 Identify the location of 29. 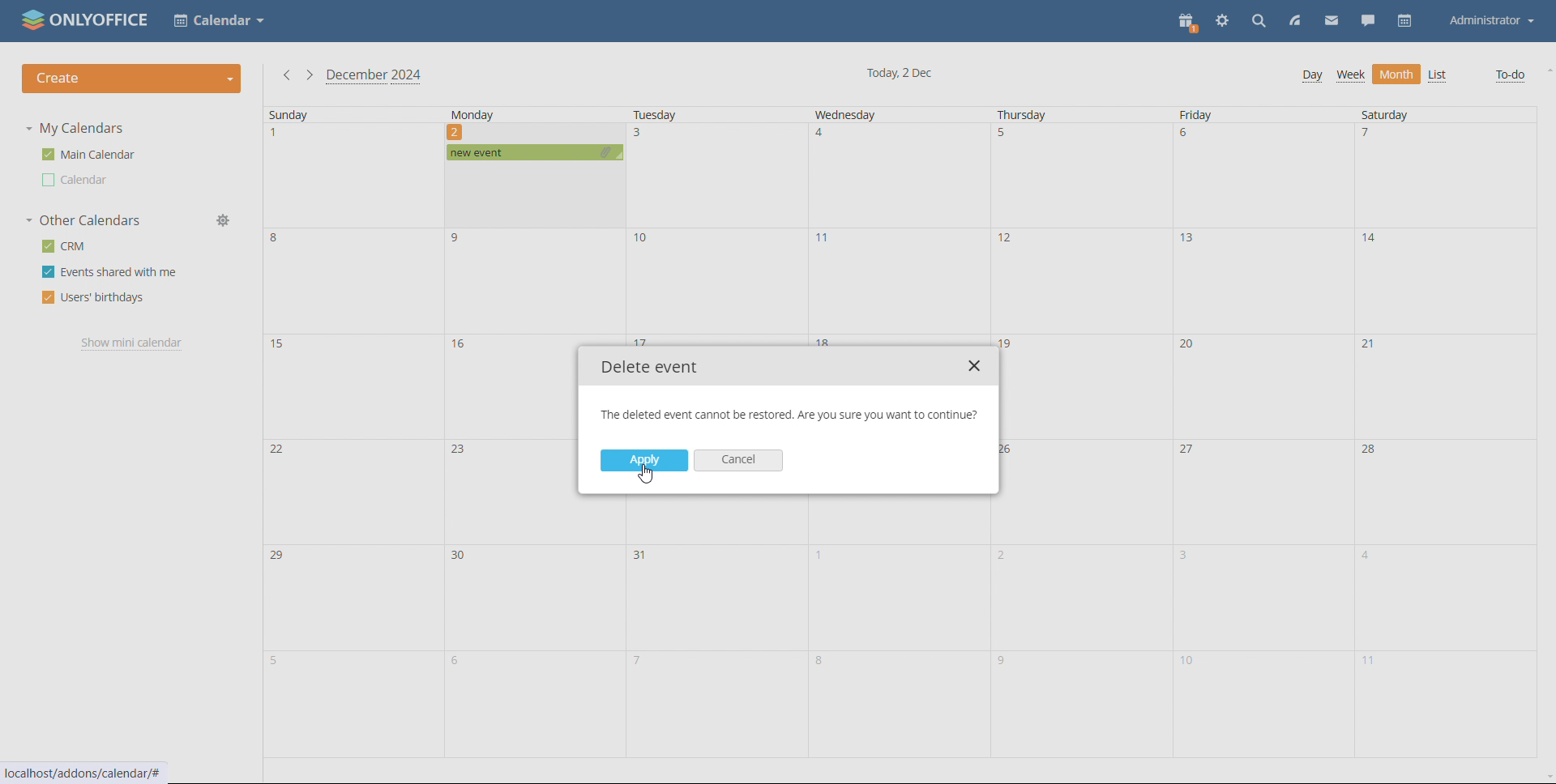
(280, 557).